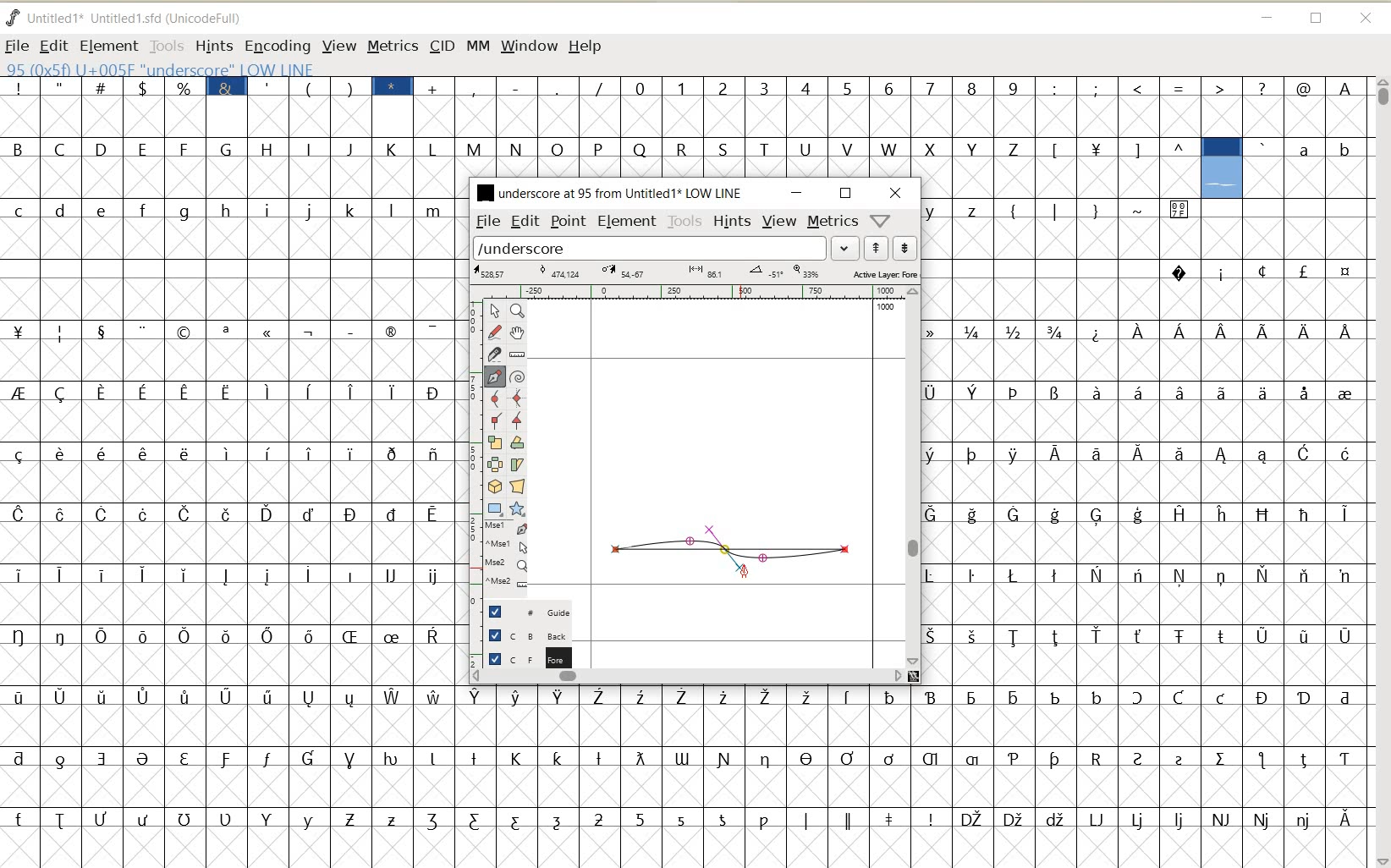 The height and width of the screenshot is (868, 1391). I want to click on ELEMENT, so click(627, 222).